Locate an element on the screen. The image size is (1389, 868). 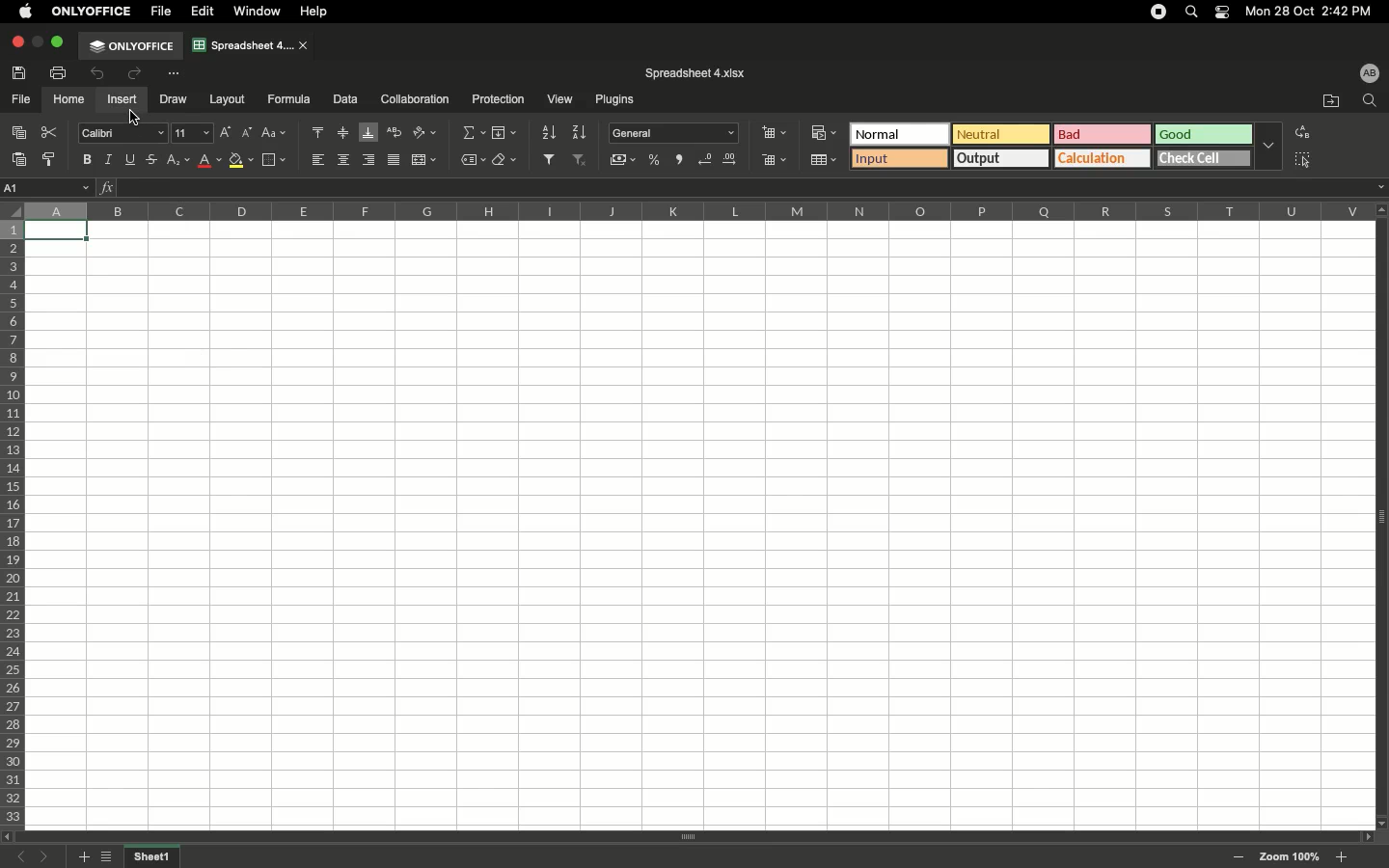
Window is located at coordinates (260, 12).